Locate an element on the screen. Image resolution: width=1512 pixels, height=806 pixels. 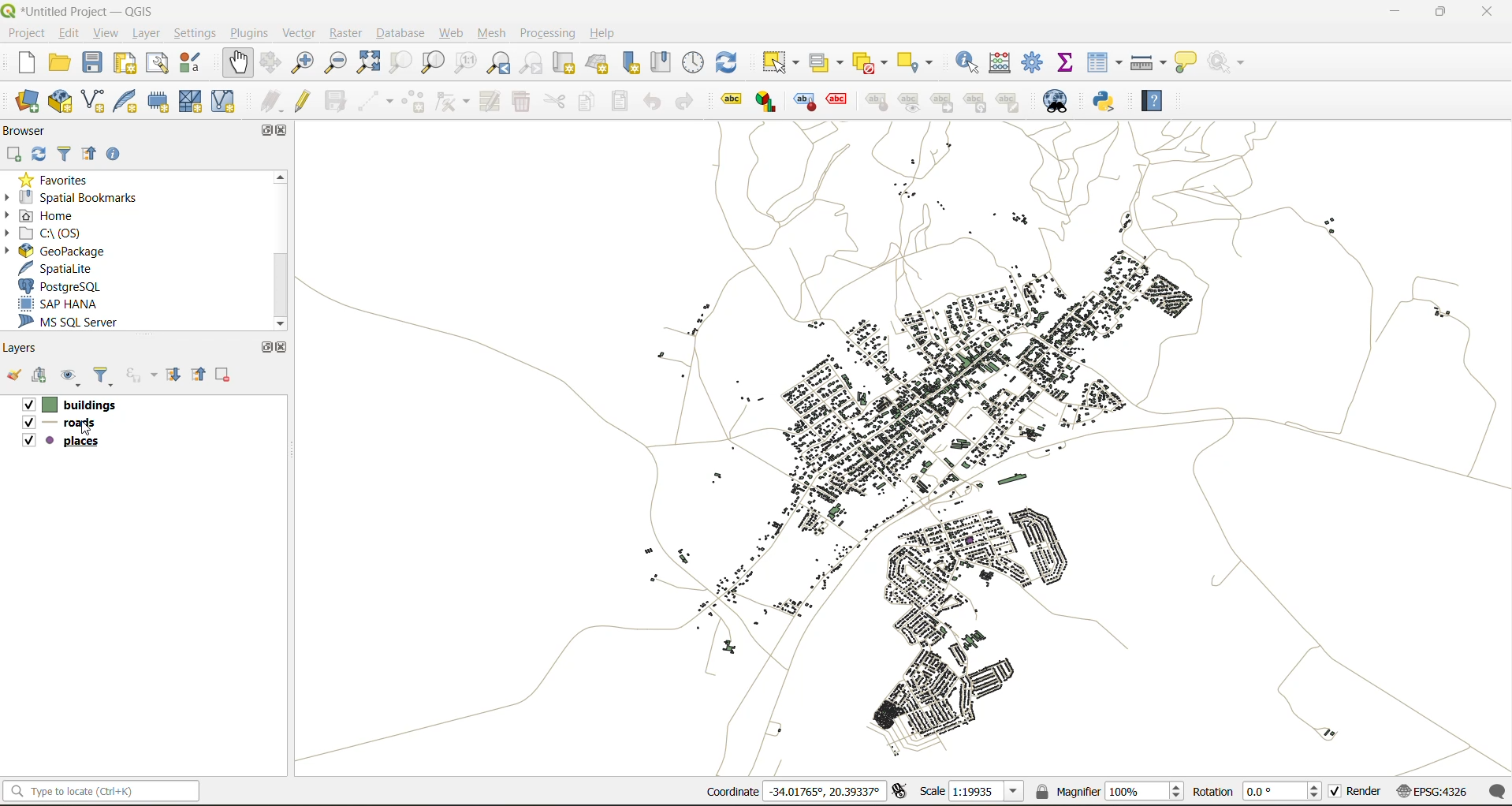
rotation is located at coordinates (1260, 790).